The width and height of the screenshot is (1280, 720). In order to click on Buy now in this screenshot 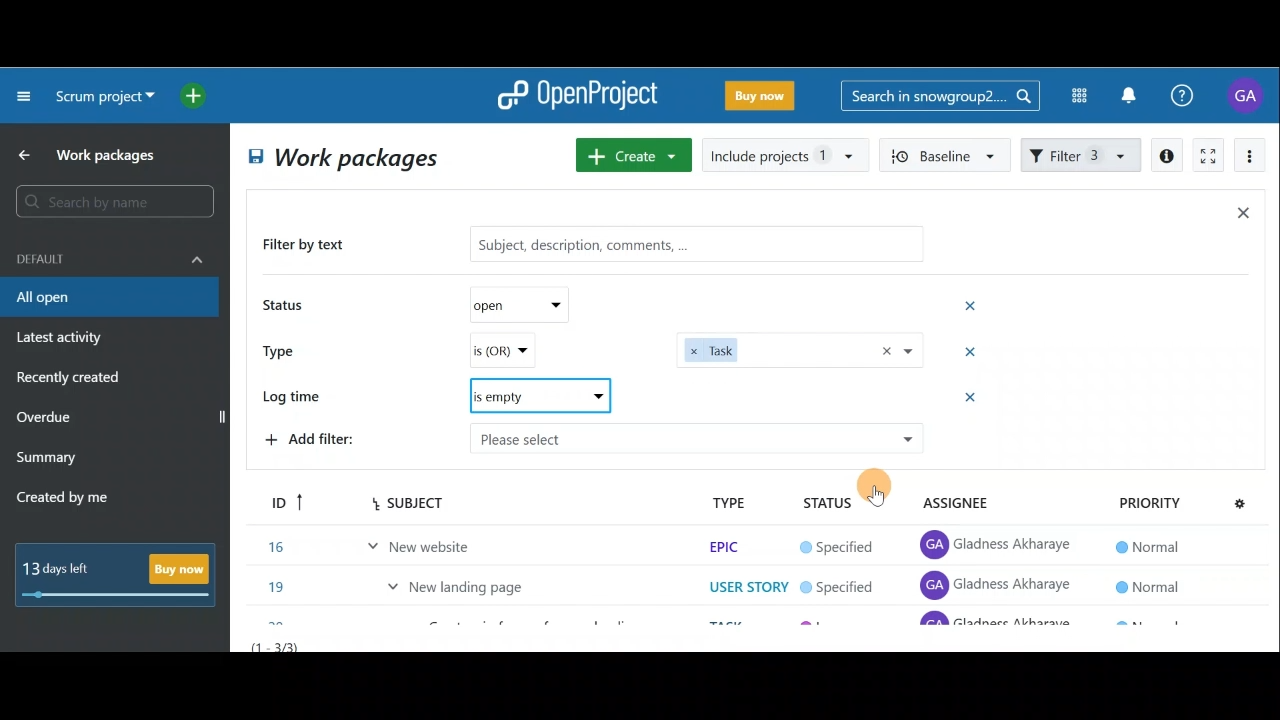, I will do `click(764, 99)`.